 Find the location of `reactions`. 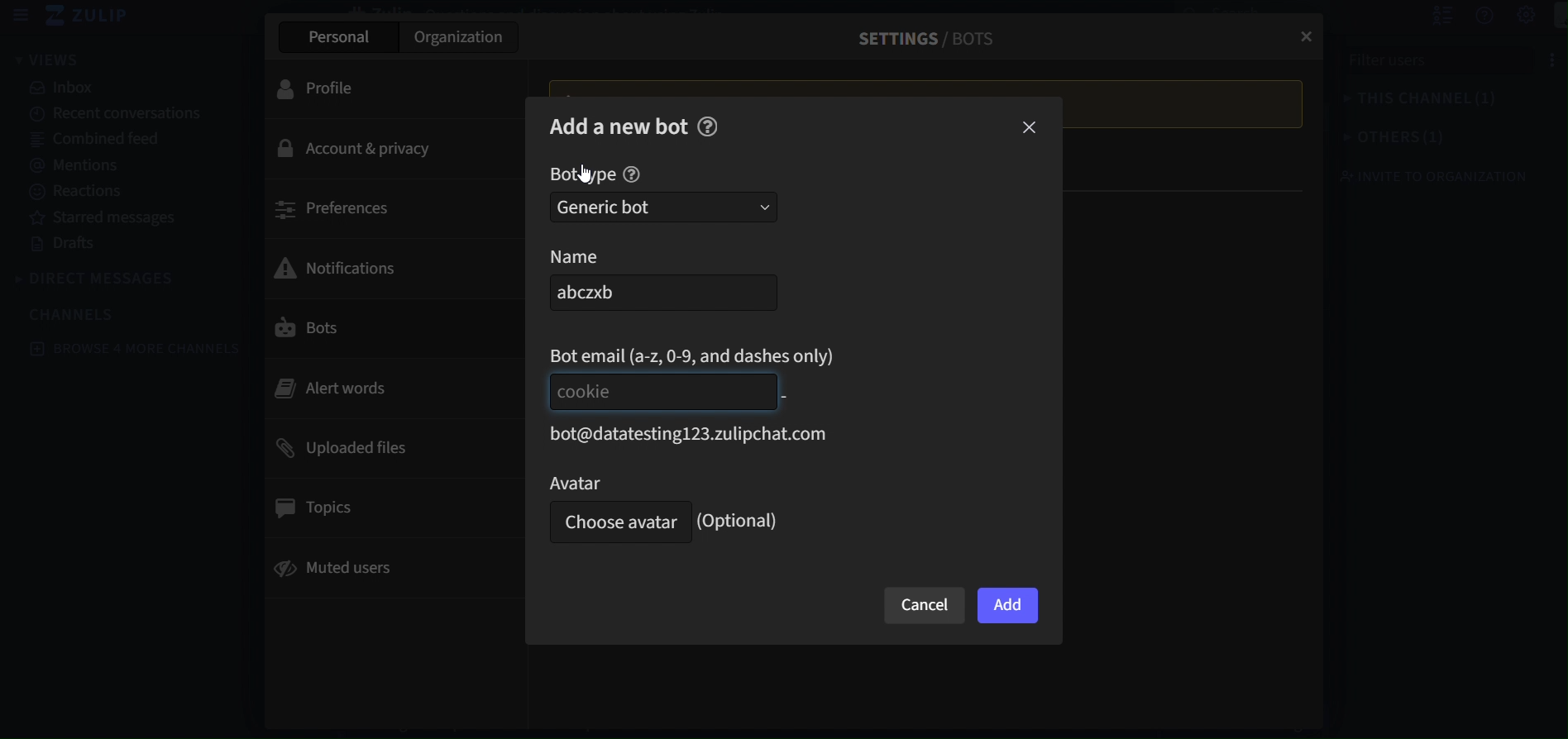

reactions is located at coordinates (126, 192).